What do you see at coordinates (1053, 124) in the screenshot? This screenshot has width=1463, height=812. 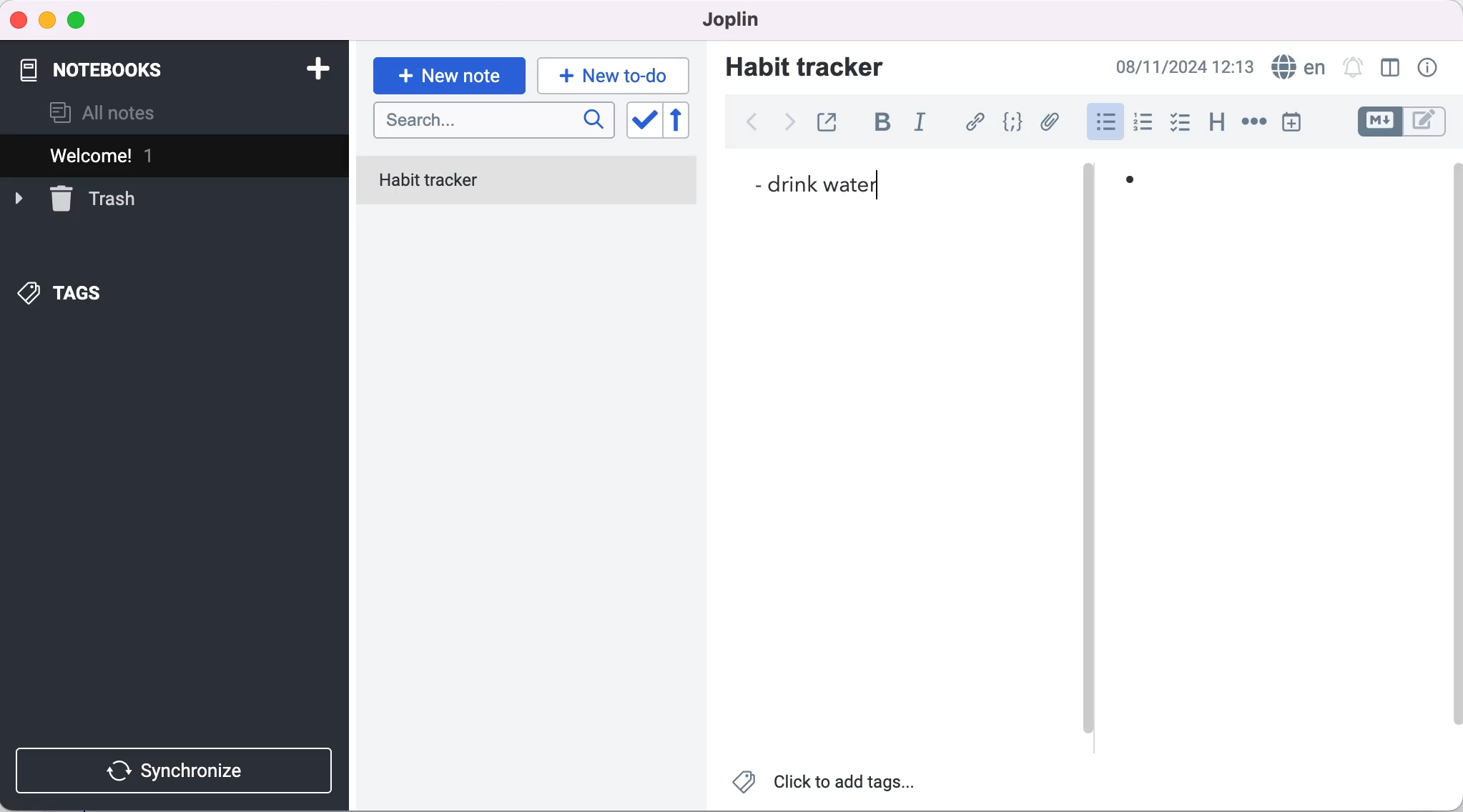 I see `add file` at bounding box center [1053, 124].